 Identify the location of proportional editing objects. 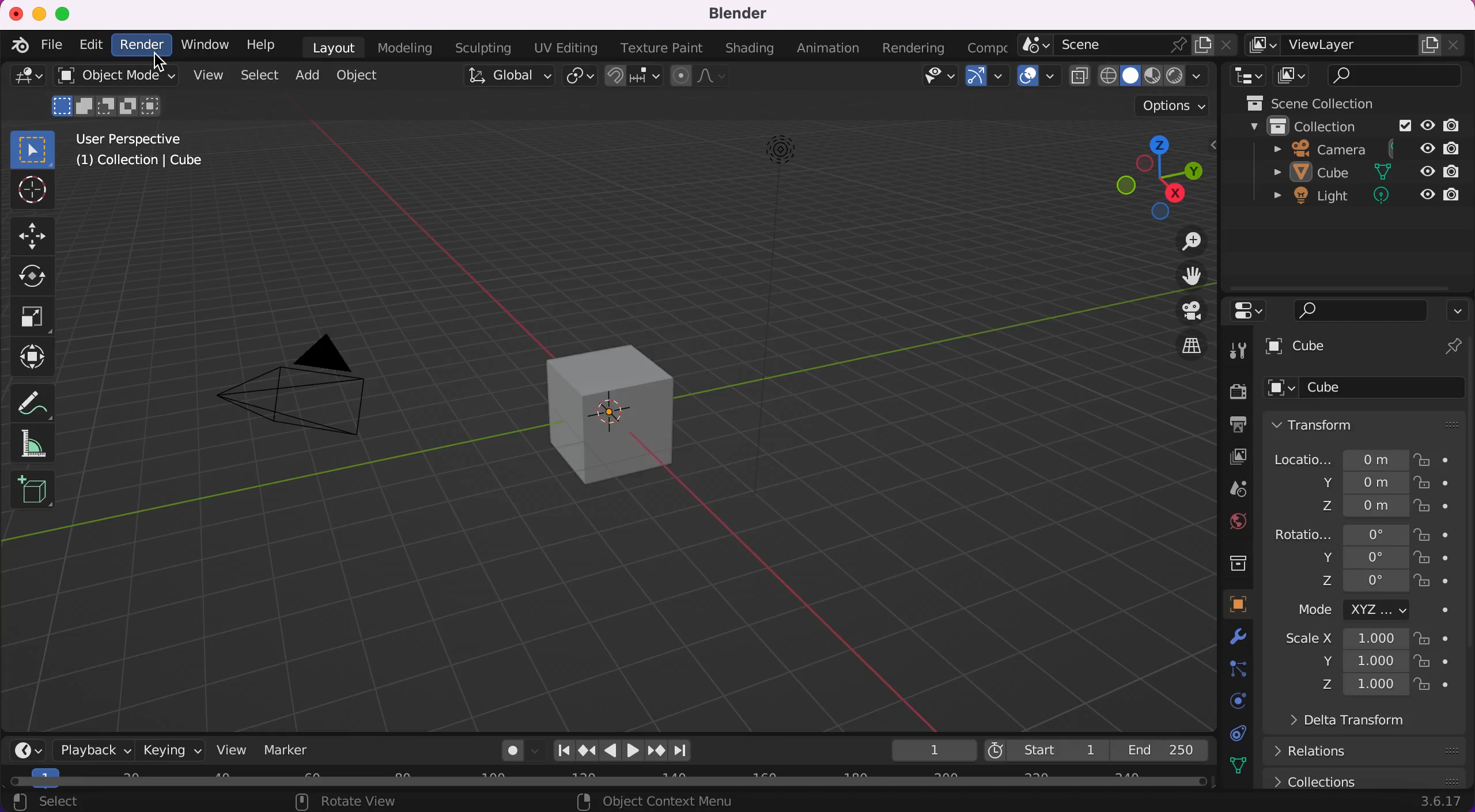
(702, 78).